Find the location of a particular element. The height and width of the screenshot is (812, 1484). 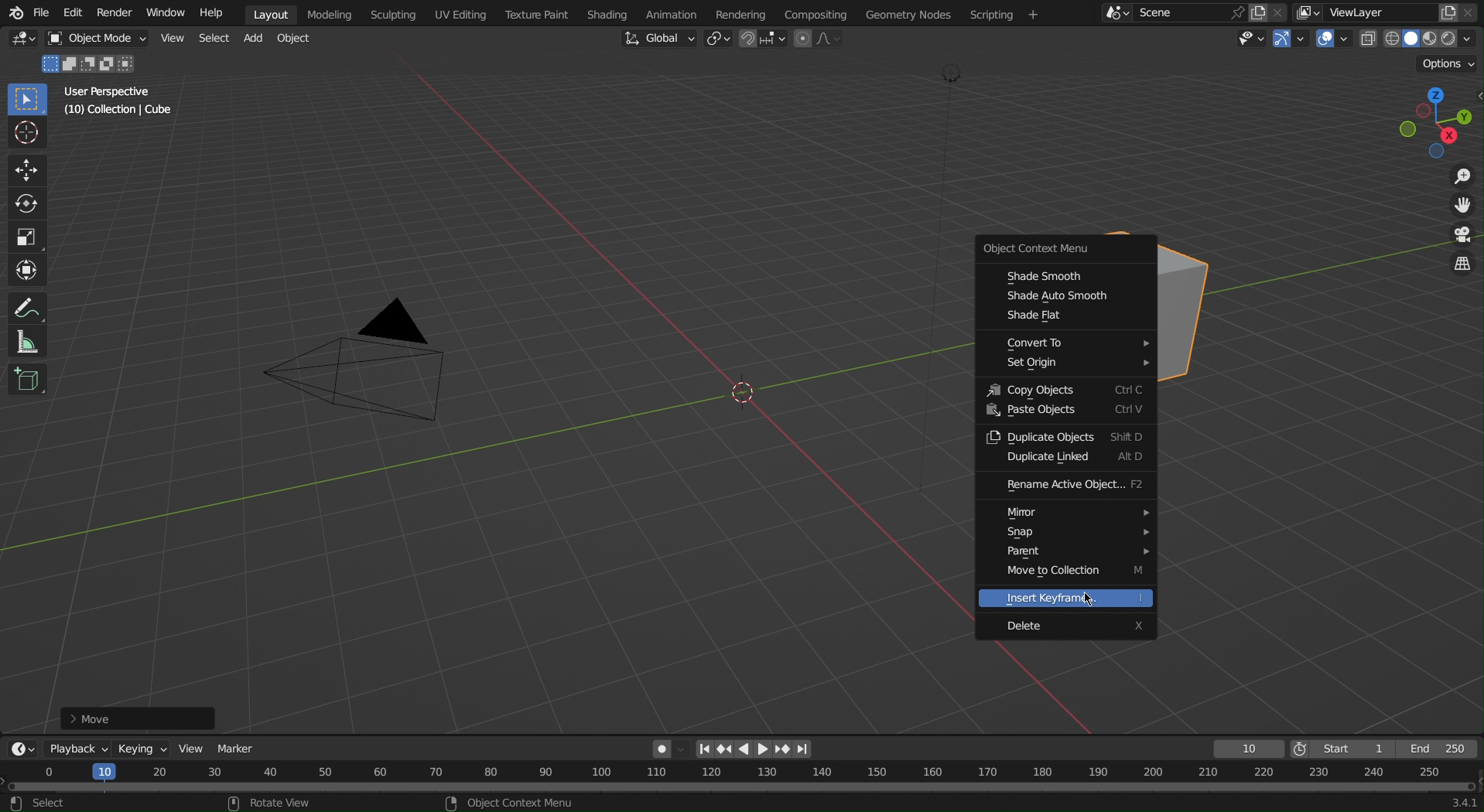

Snapping is located at coordinates (764, 39).